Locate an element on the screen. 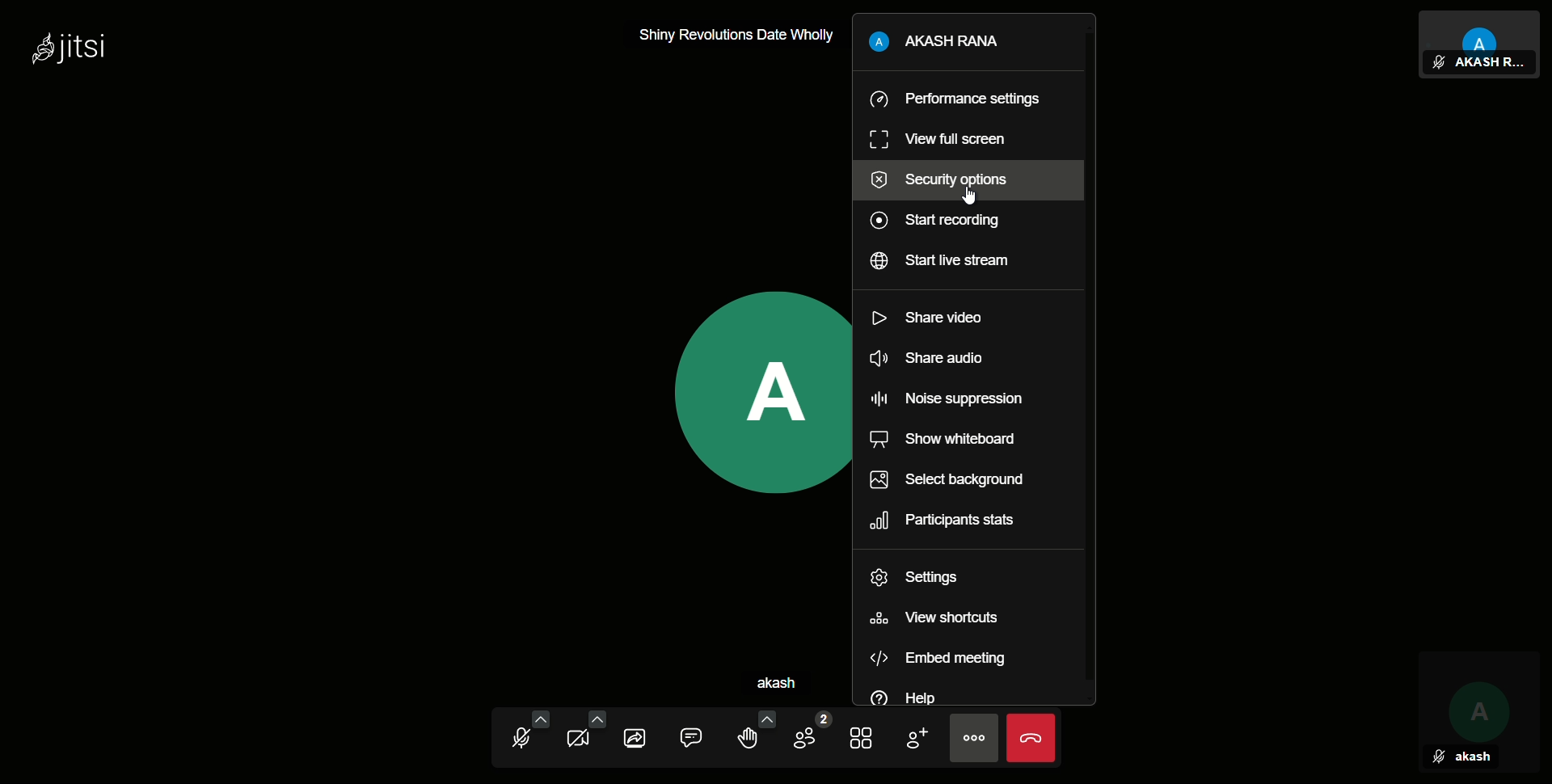 The image size is (1552, 784). performance settings is located at coordinates (954, 99).